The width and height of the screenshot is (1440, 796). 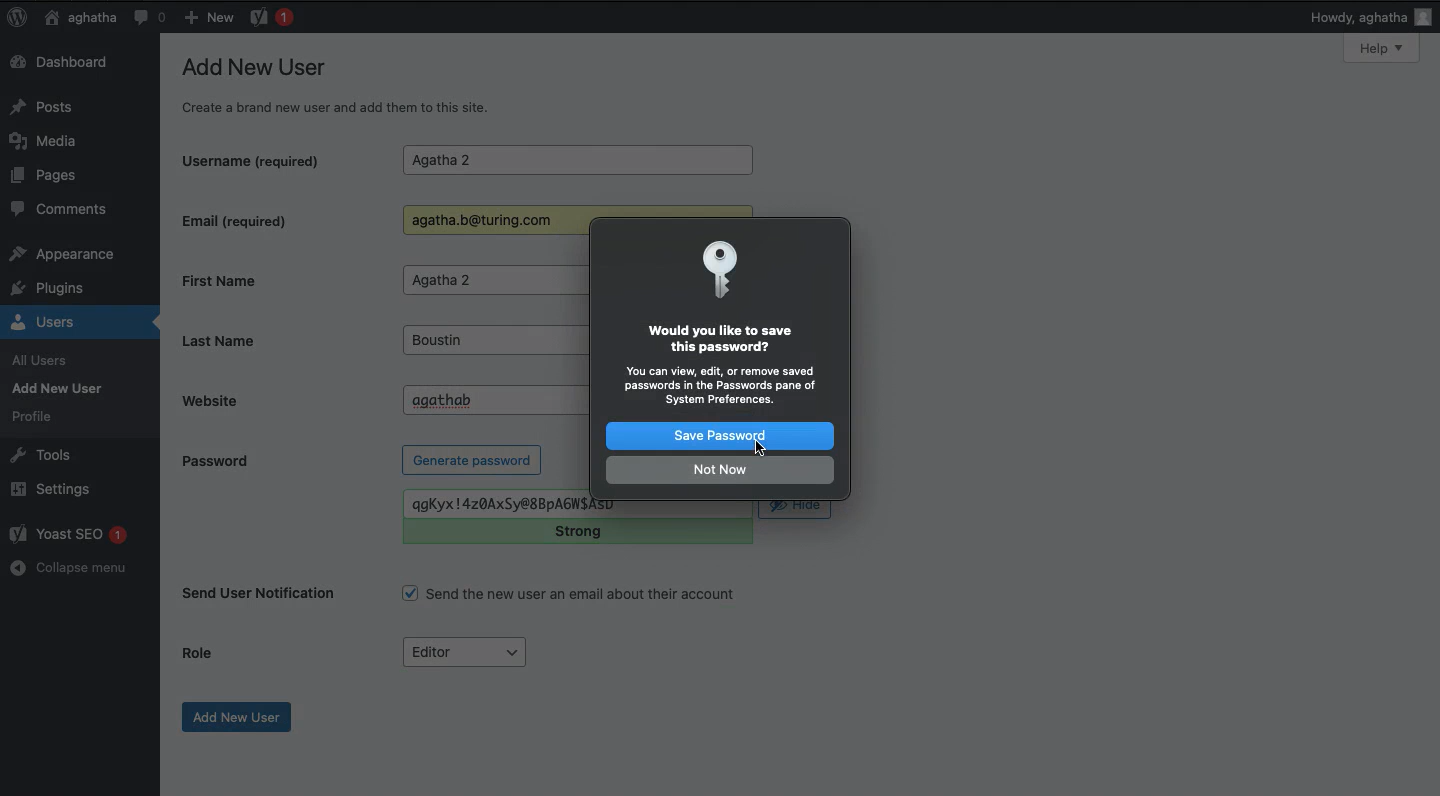 What do you see at coordinates (149, 17) in the screenshot?
I see `Comment` at bounding box center [149, 17].